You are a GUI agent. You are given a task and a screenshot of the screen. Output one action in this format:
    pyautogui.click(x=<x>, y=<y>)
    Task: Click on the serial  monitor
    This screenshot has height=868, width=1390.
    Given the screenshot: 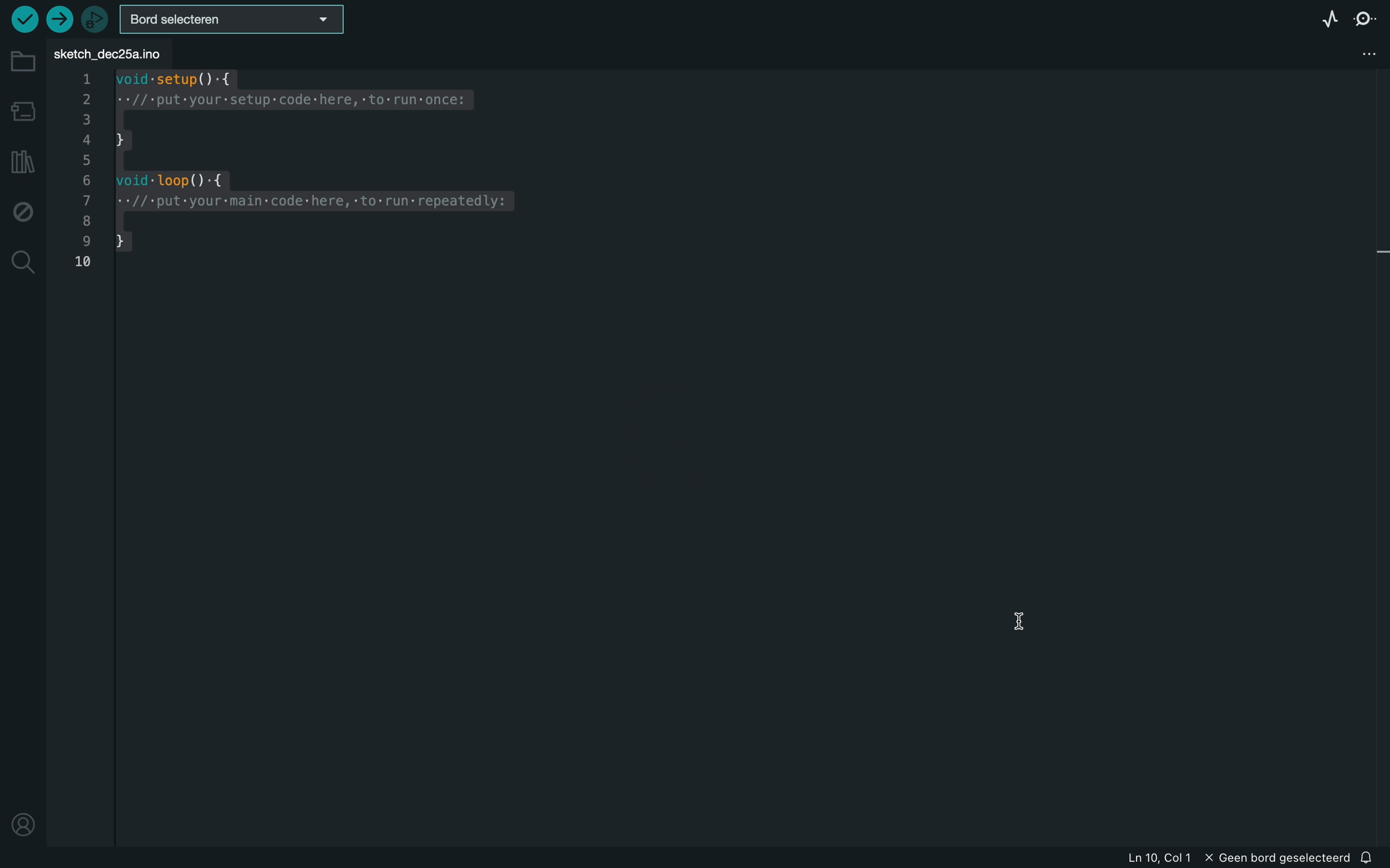 What is the action you would take?
    pyautogui.click(x=1365, y=19)
    